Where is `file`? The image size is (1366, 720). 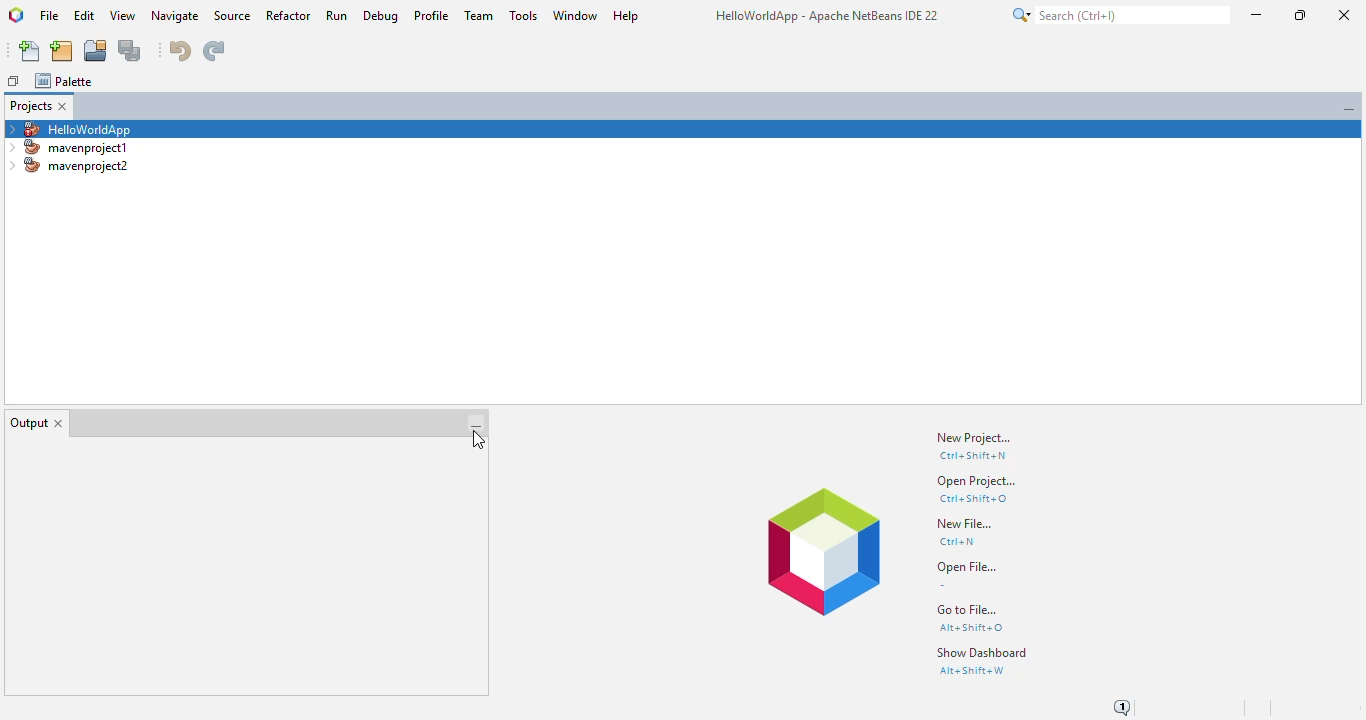
file is located at coordinates (50, 16).